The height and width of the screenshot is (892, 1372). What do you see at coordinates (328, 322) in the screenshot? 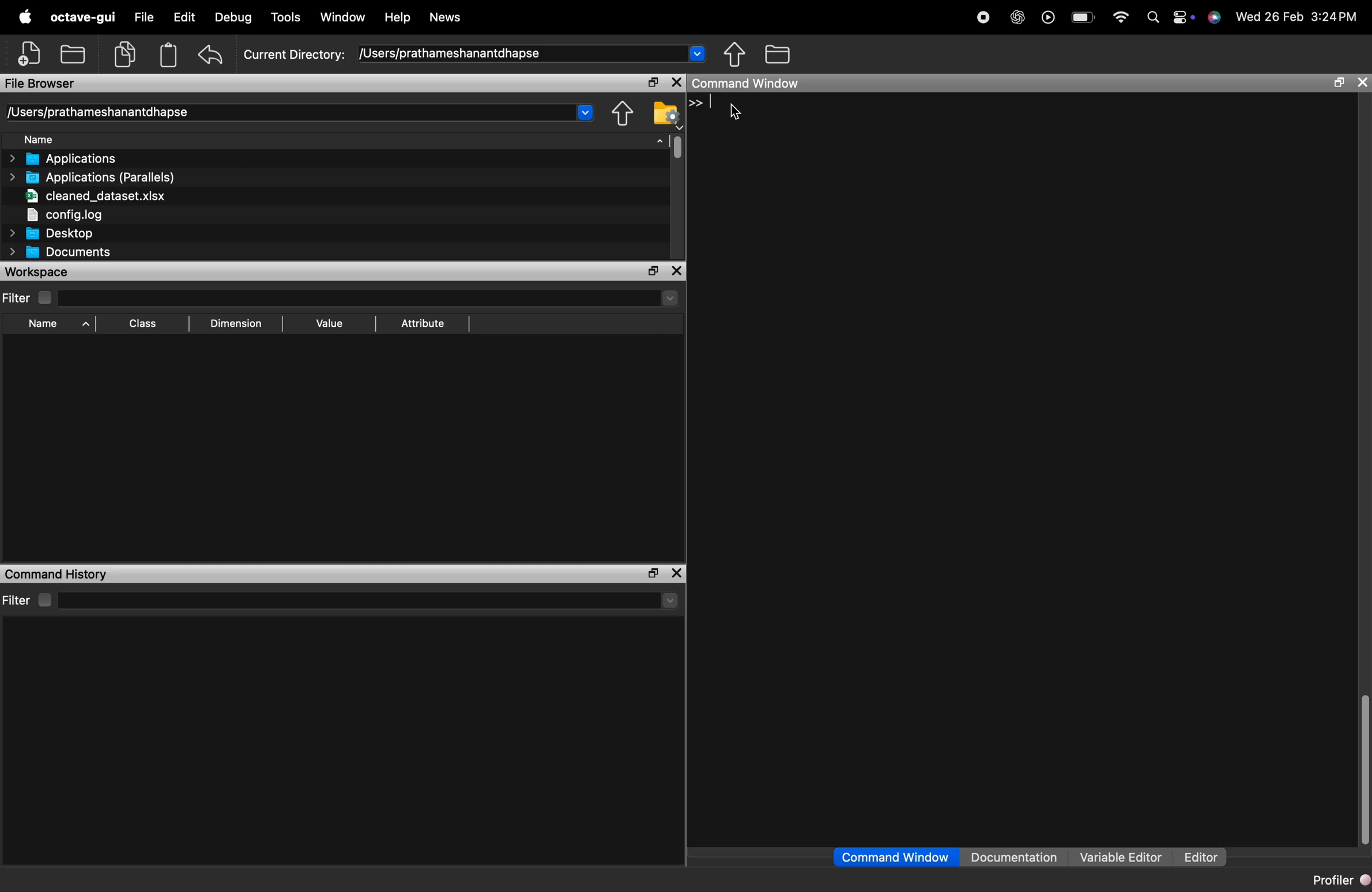
I see `Value` at bounding box center [328, 322].